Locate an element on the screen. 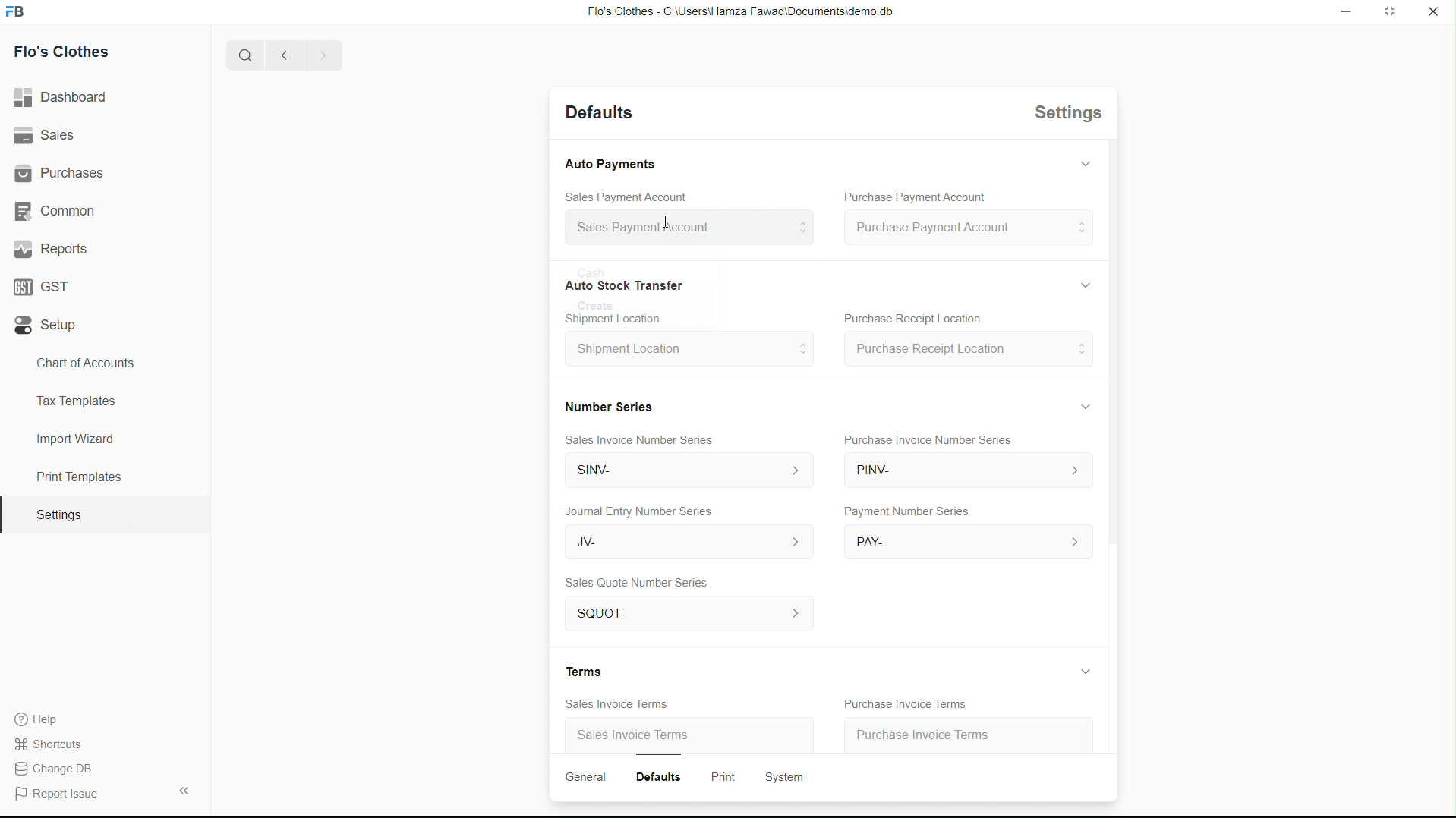 The image size is (1456, 818). cursor is located at coordinates (667, 218).